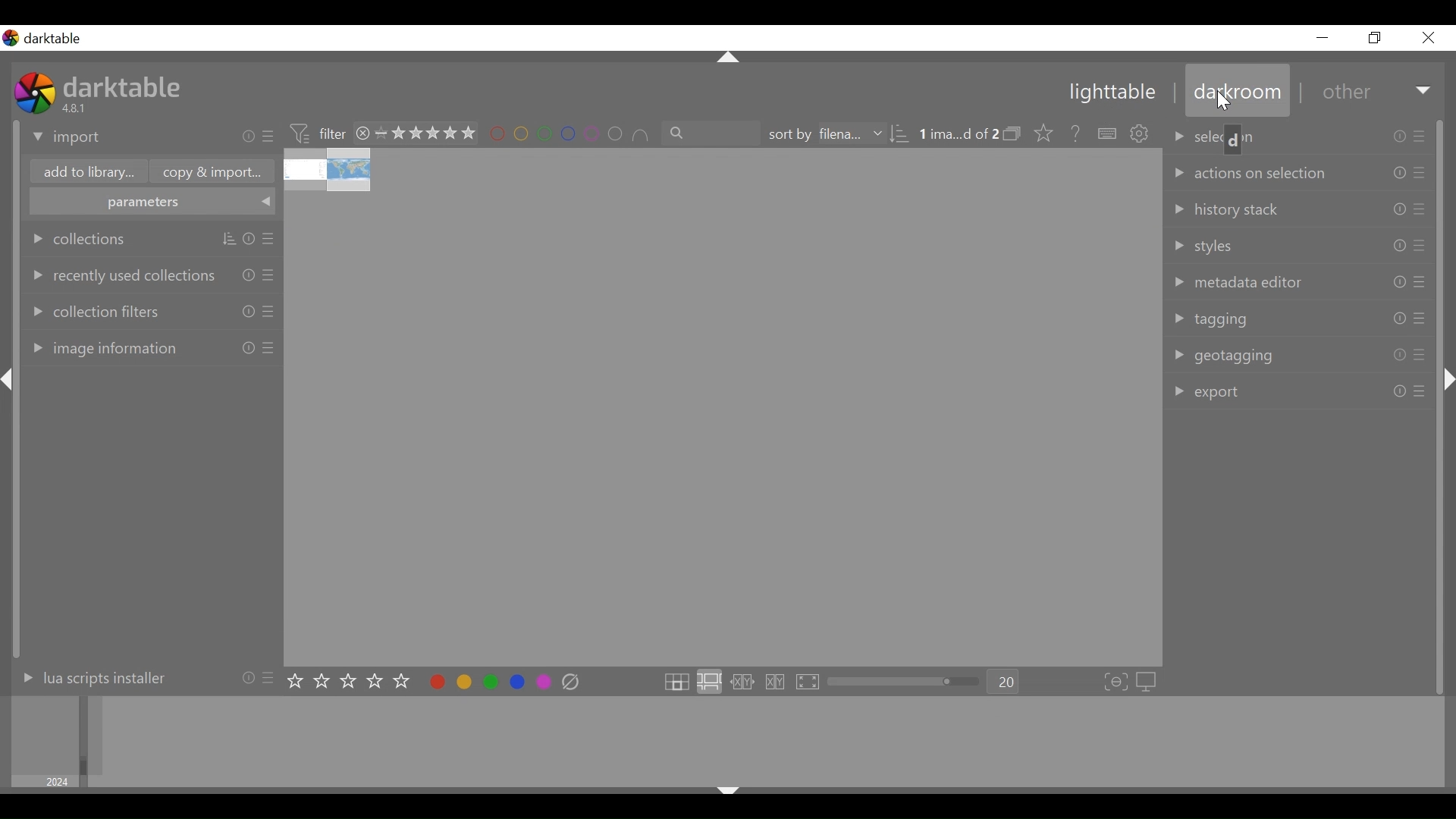  I want to click on , so click(1424, 283).